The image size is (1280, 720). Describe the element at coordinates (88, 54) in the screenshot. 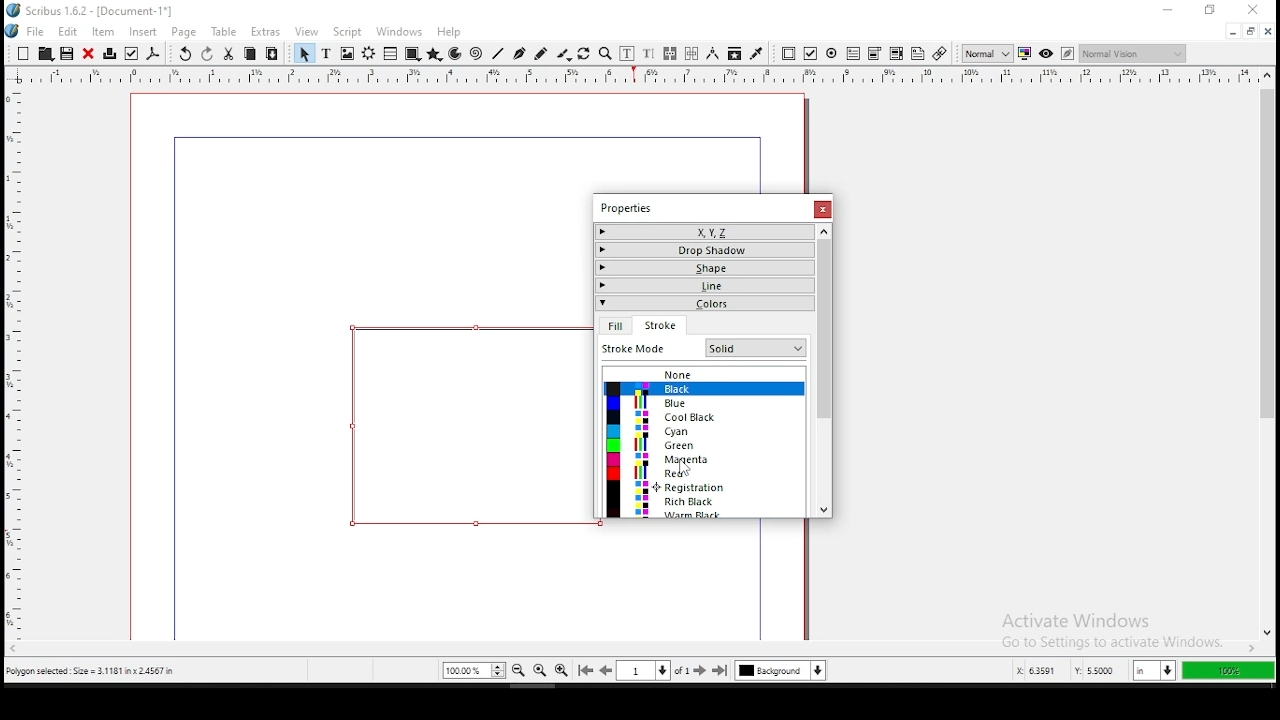

I see `close` at that location.